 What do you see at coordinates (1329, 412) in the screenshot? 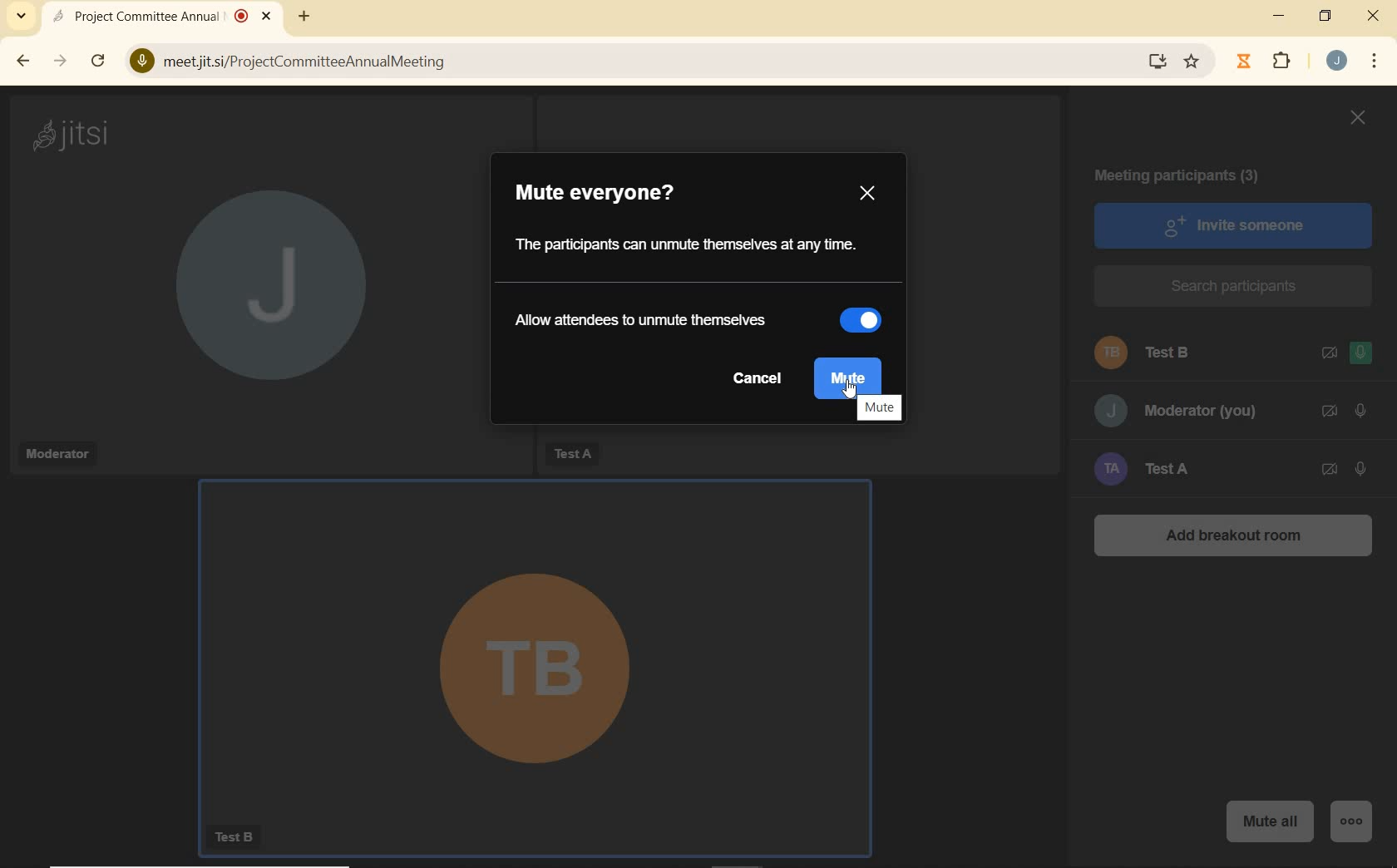
I see `CAMERA` at bounding box center [1329, 412].